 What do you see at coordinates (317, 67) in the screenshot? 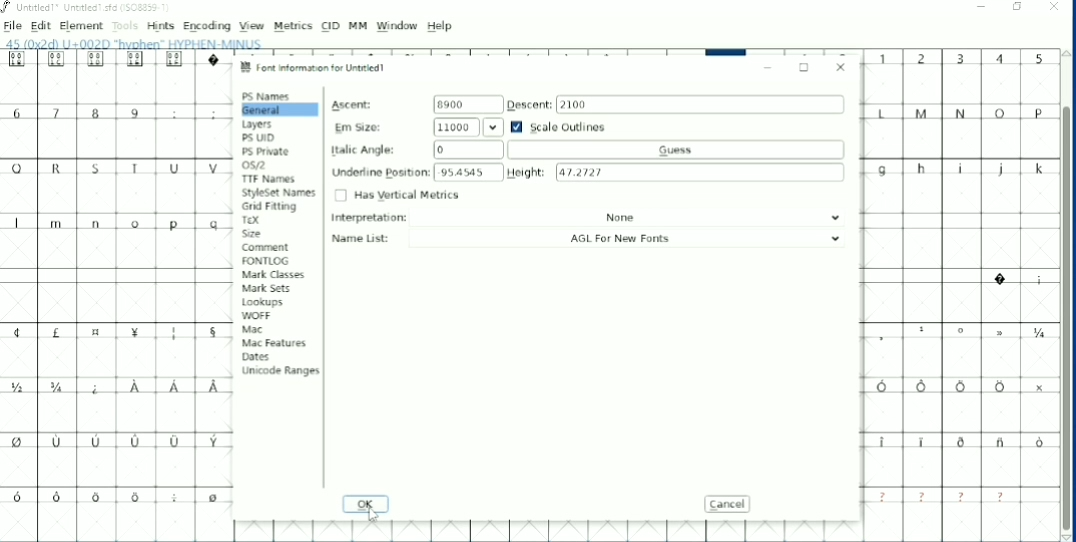
I see `Font information` at bounding box center [317, 67].